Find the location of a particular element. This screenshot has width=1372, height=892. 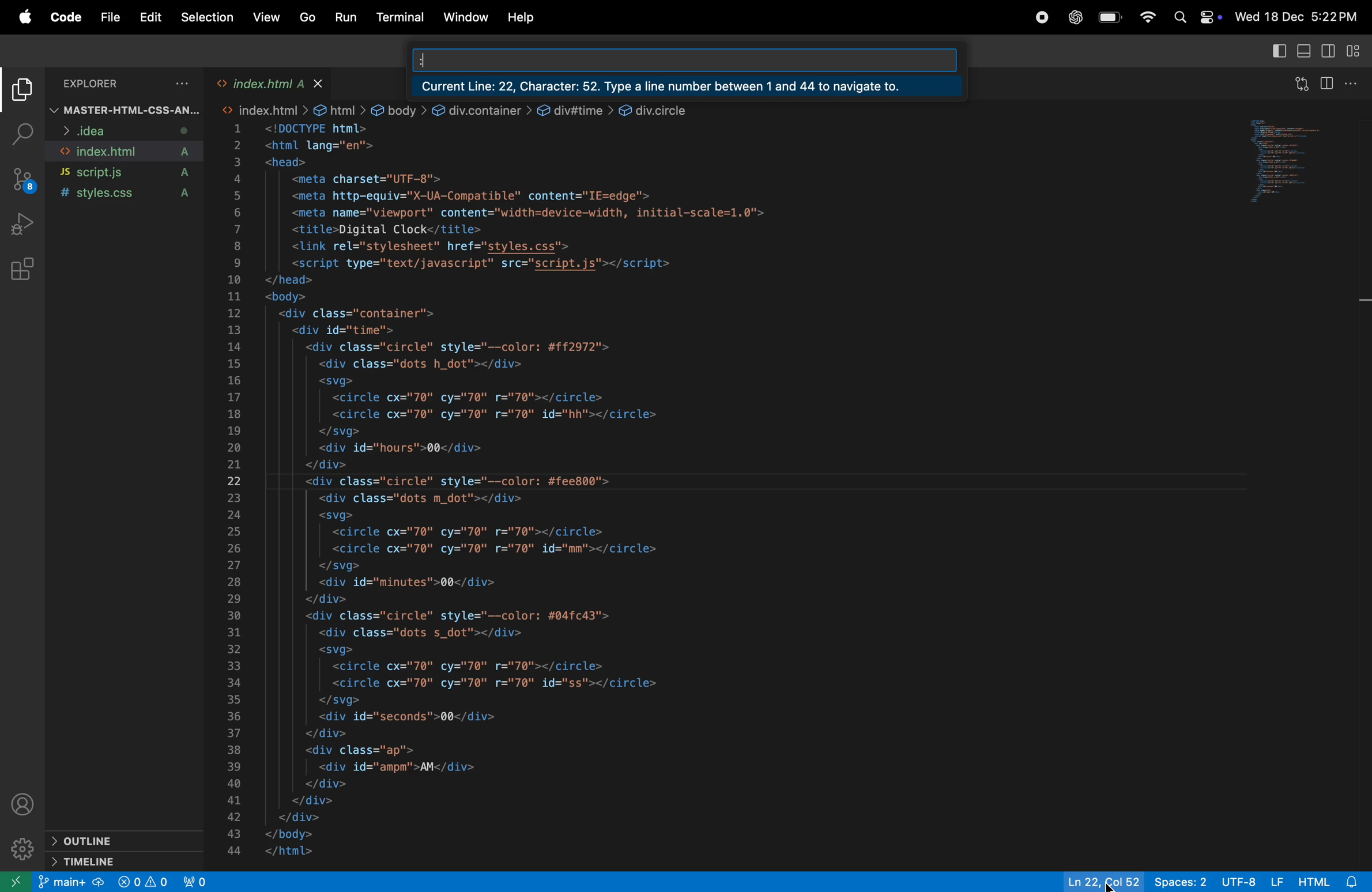

customize layout is located at coordinates (1355, 52).